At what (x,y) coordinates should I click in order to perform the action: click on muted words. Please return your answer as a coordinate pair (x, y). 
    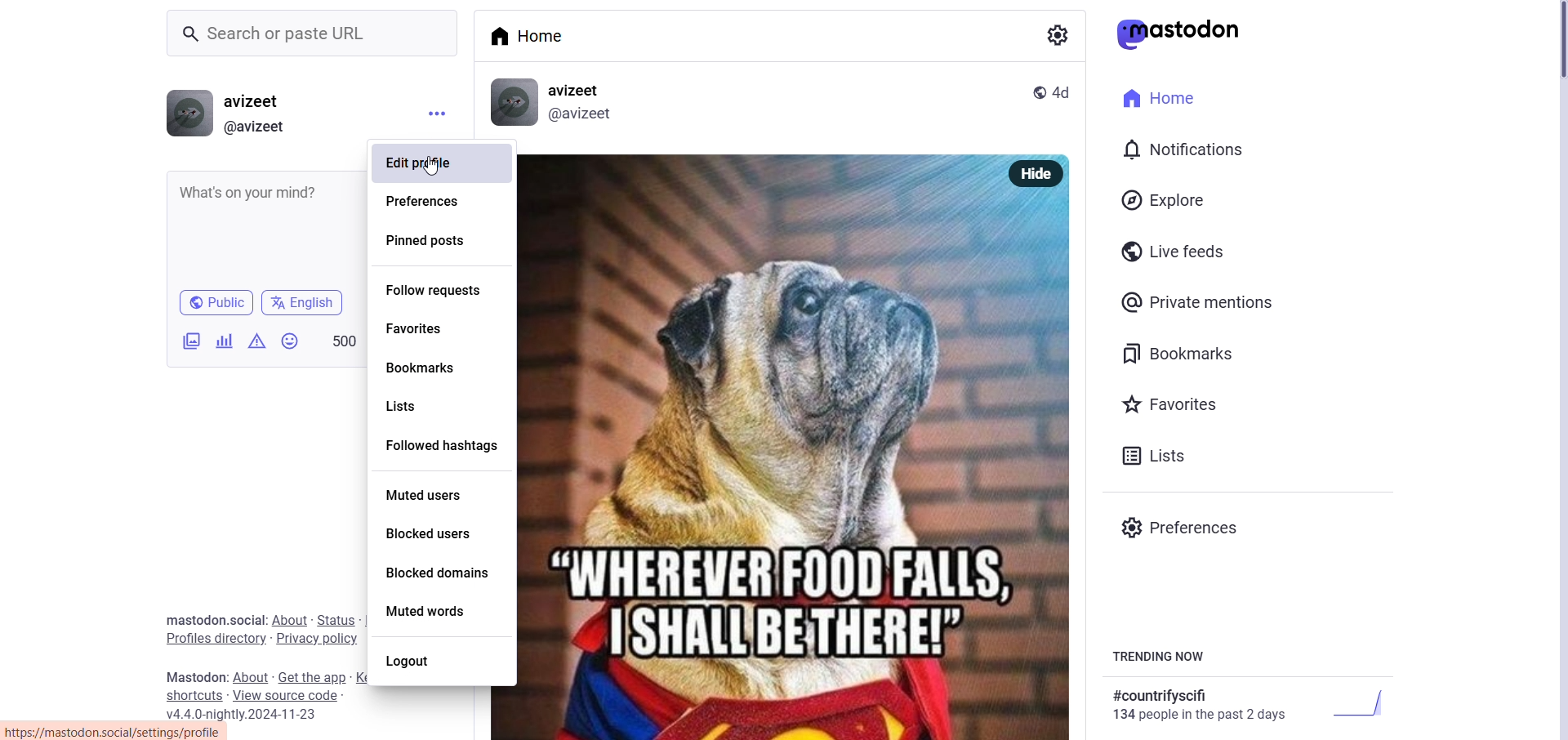
    Looking at the image, I should click on (429, 611).